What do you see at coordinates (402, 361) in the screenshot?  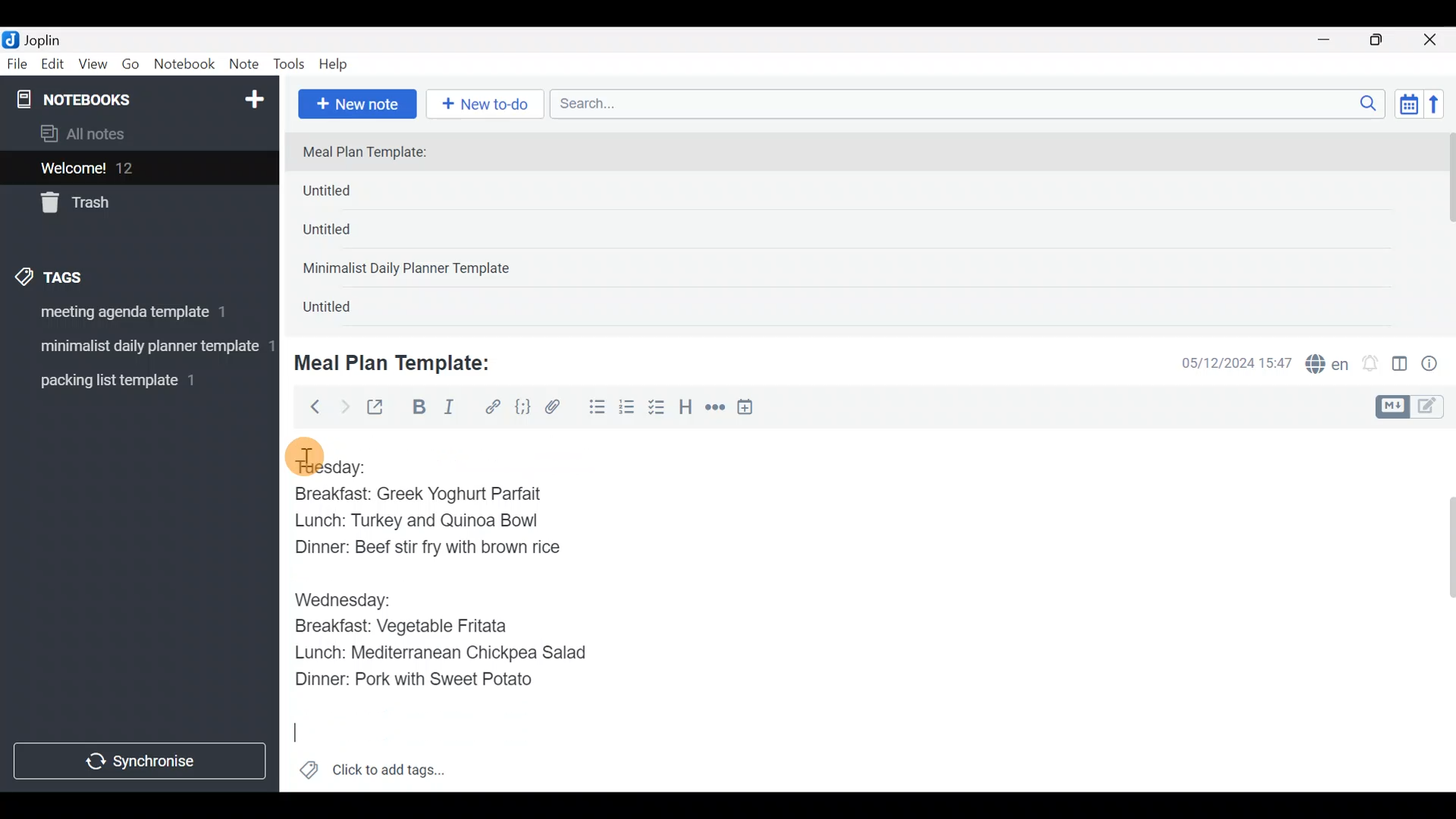 I see `Meal Plan Template:` at bounding box center [402, 361].